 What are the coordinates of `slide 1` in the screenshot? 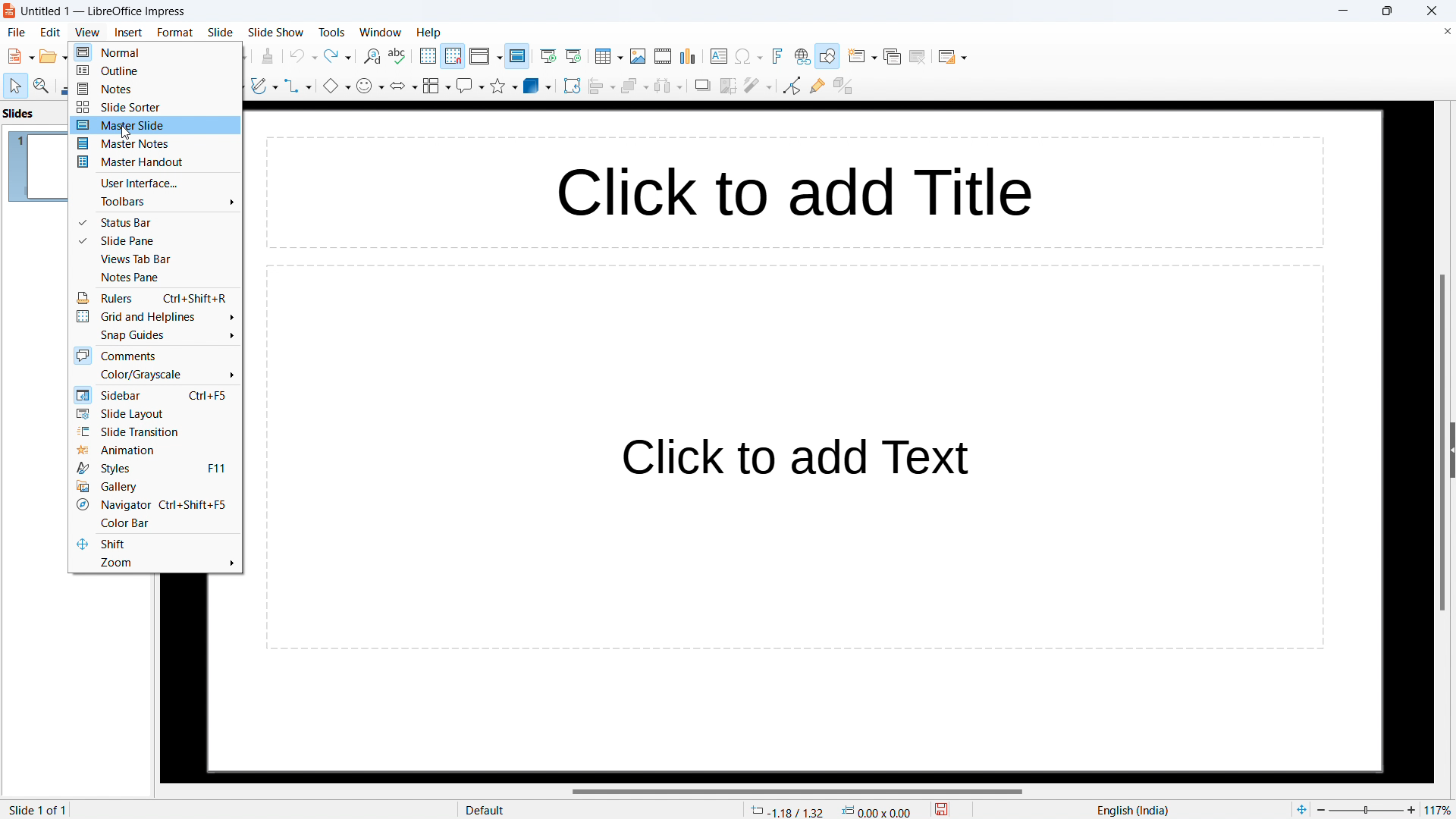 It's located at (34, 167).